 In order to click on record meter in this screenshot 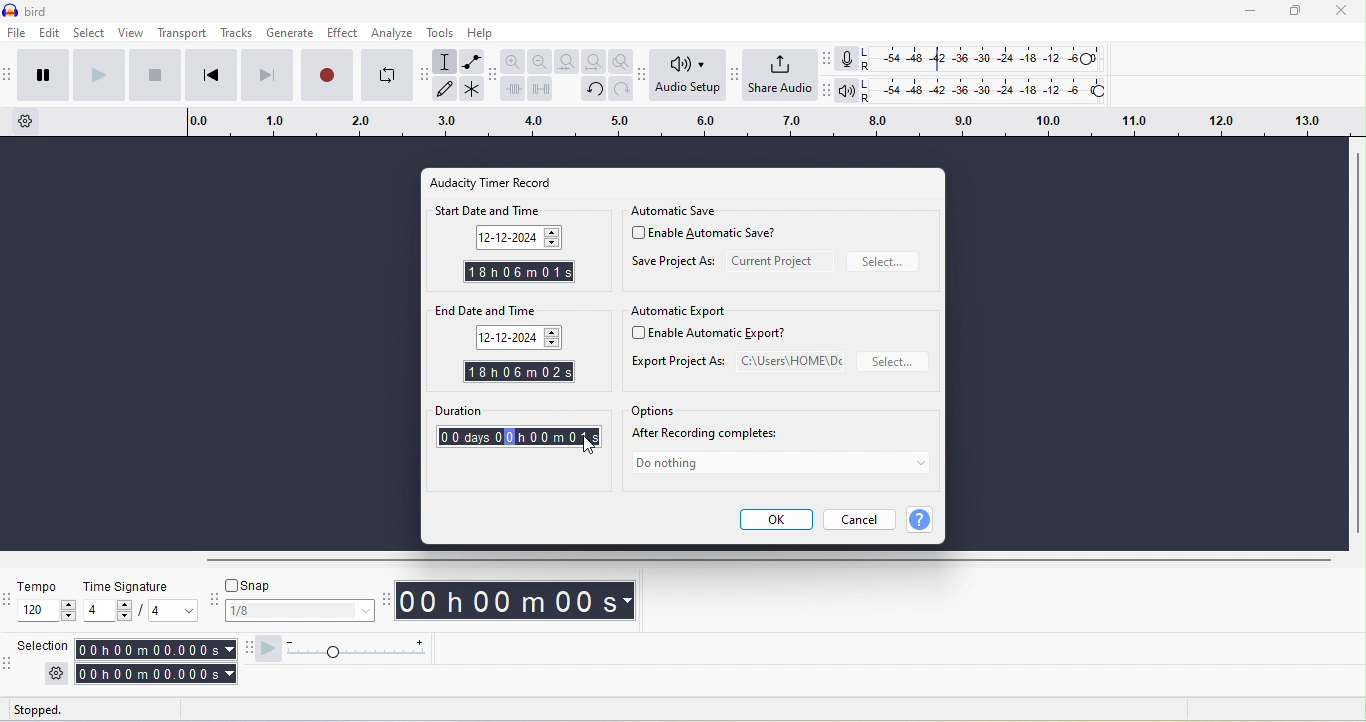, I will do `click(848, 59)`.